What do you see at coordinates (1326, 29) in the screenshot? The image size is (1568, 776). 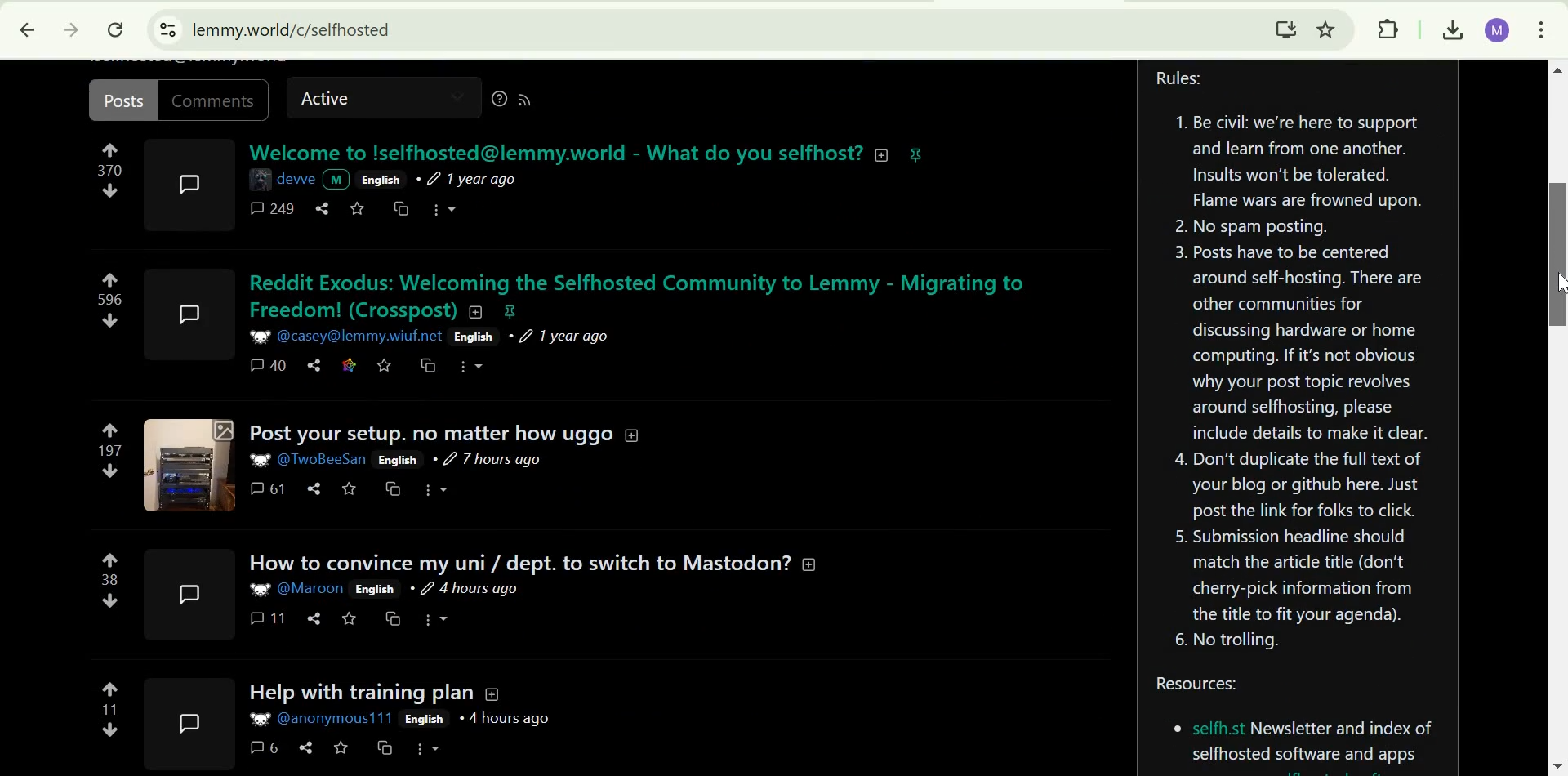 I see `Bookmark this tab` at bounding box center [1326, 29].